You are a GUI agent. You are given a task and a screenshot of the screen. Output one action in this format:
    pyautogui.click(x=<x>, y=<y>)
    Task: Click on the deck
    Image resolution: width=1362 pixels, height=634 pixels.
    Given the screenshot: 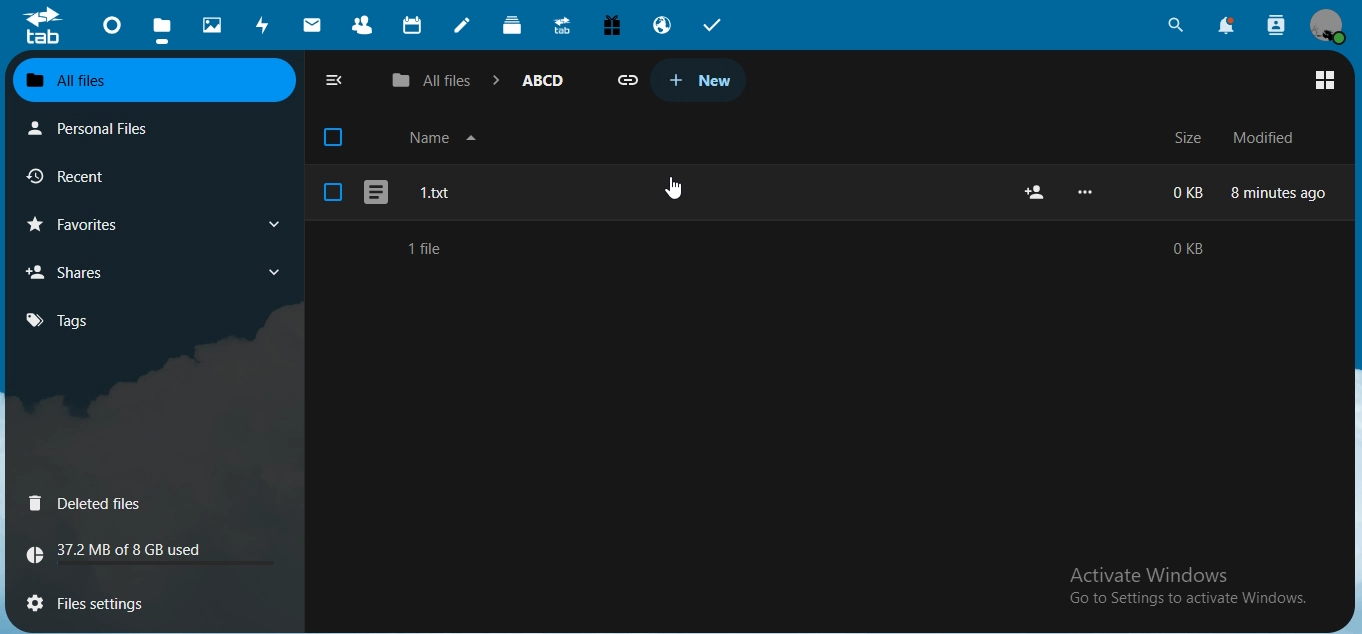 What is the action you would take?
    pyautogui.click(x=515, y=28)
    